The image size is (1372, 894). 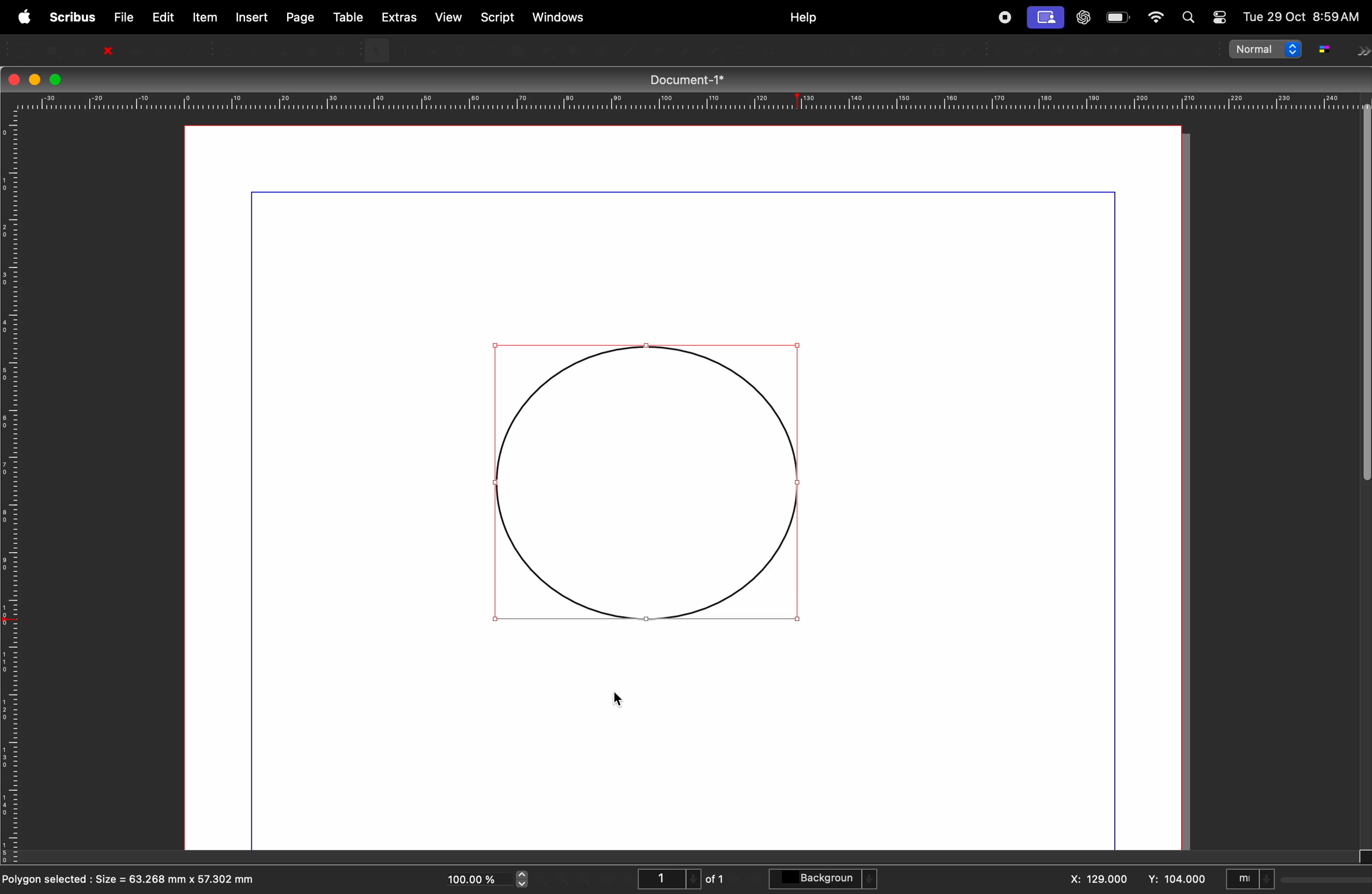 What do you see at coordinates (165, 48) in the screenshot?
I see `Preflight verifier` at bounding box center [165, 48].